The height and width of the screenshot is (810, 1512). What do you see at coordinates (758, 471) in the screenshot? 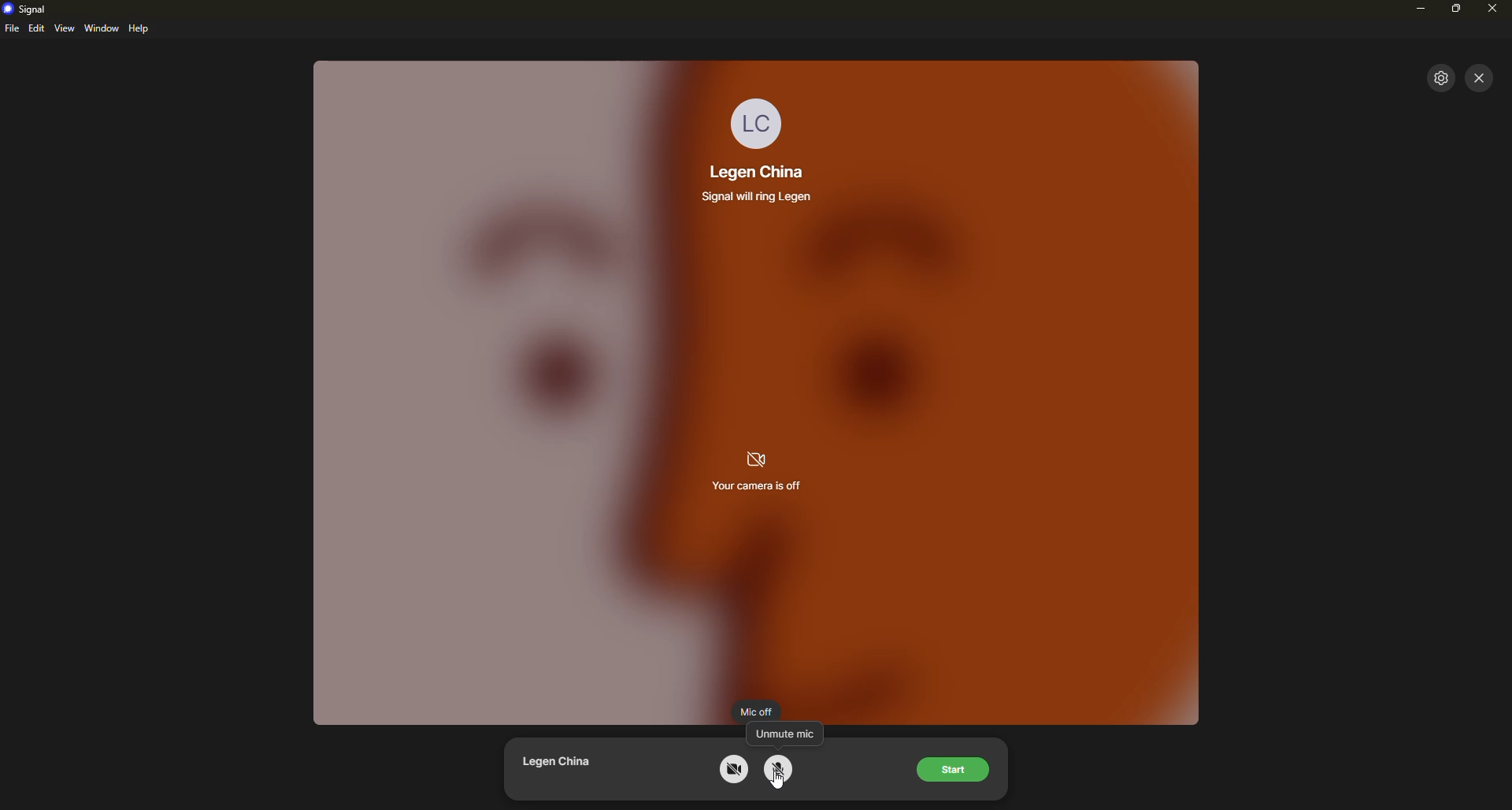
I see `camera is off` at bounding box center [758, 471].